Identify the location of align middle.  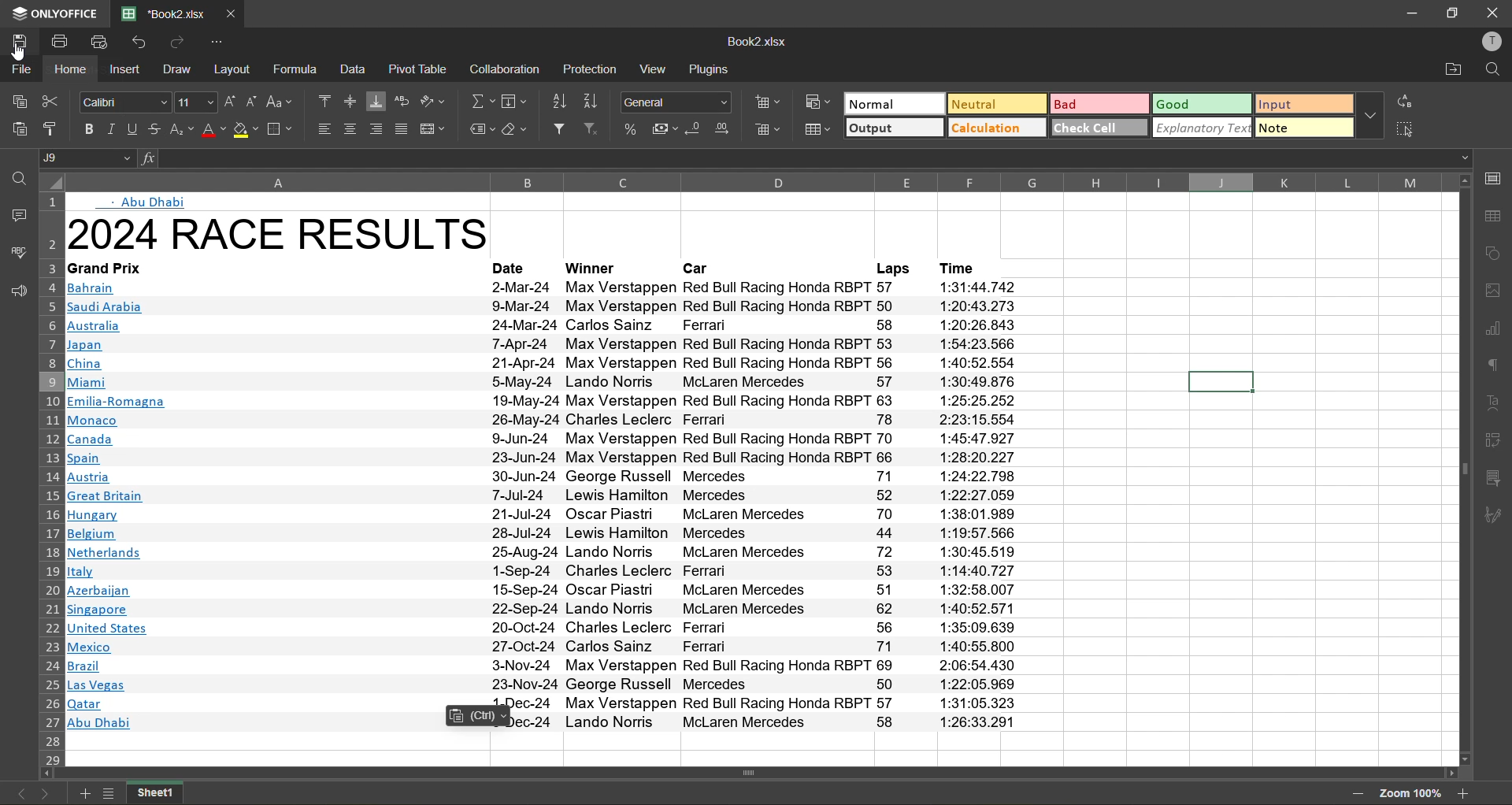
(349, 100).